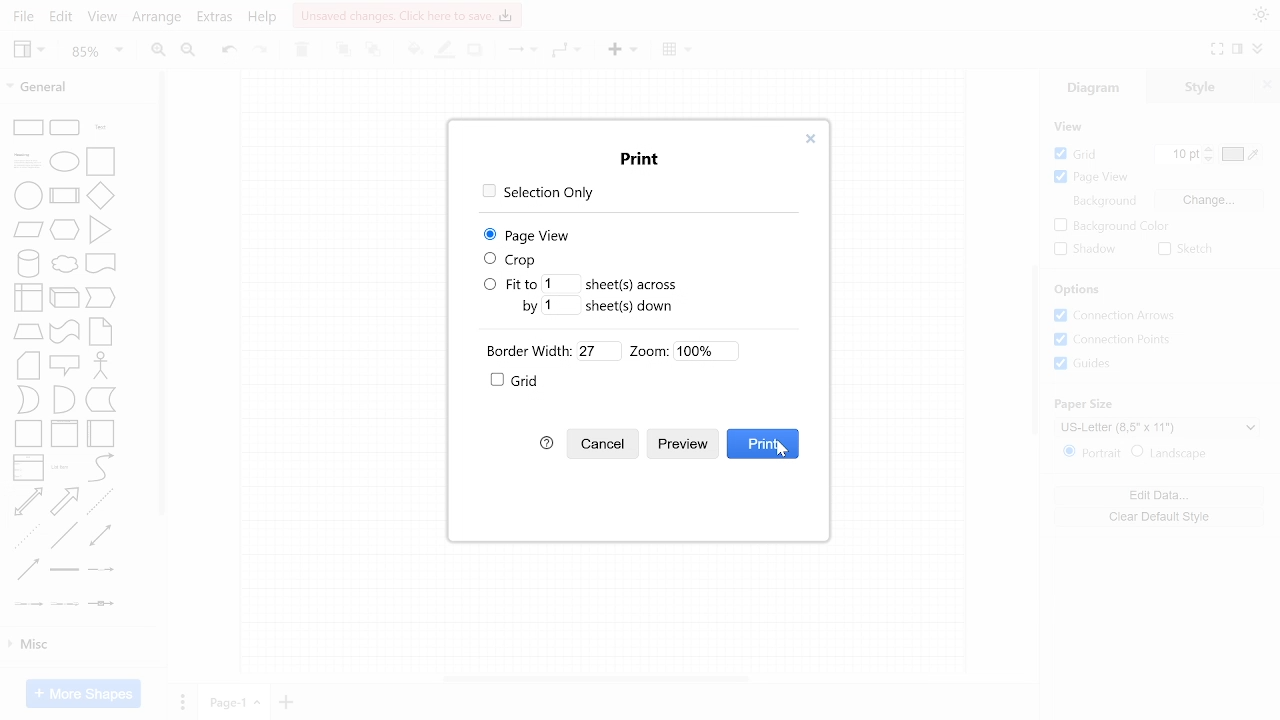 The height and width of the screenshot is (720, 1280). What do you see at coordinates (1083, 363) in the screenshot?
I see `` at bounding box center [1083, 363].